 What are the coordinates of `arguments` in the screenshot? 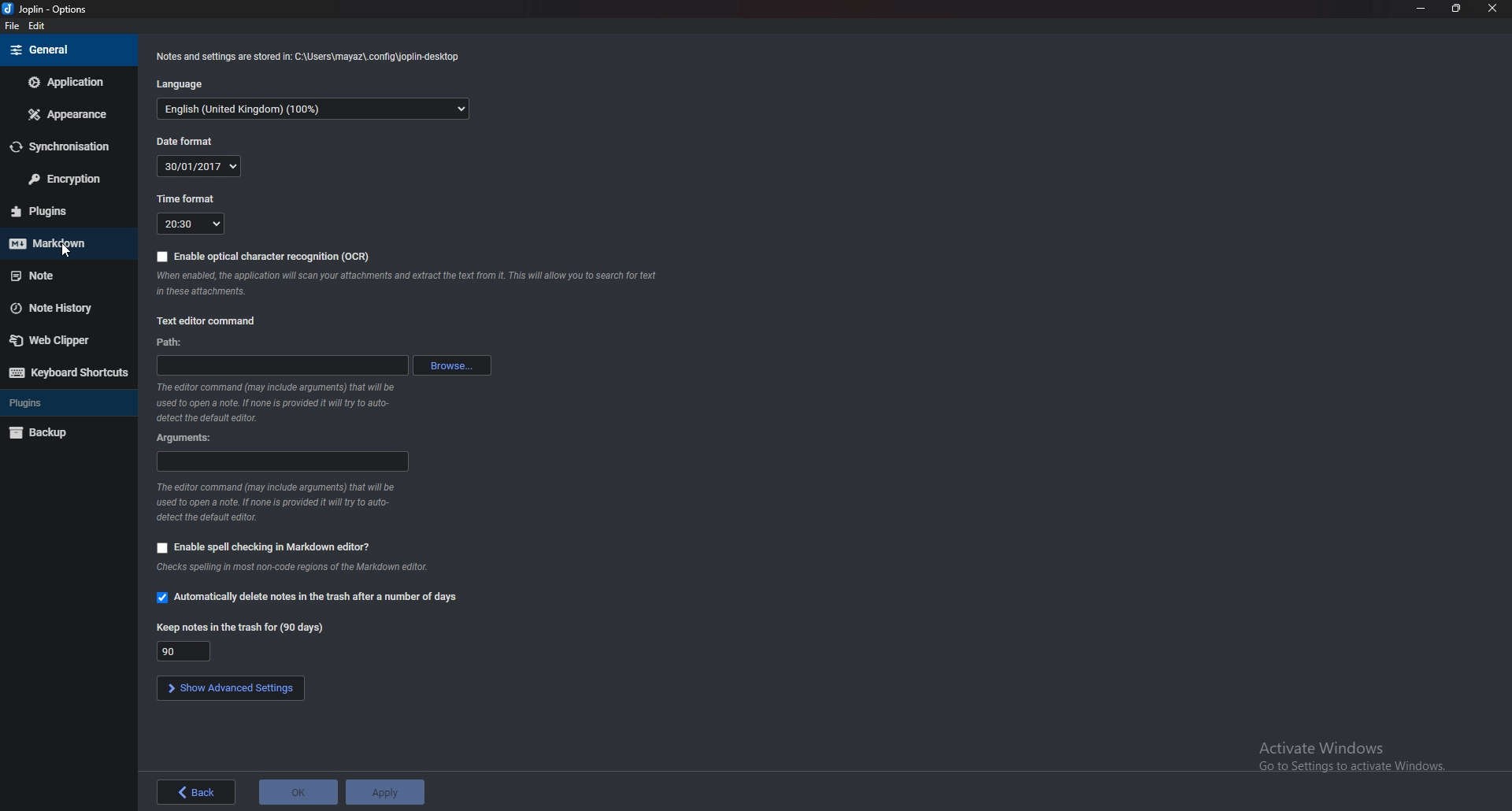 It's located at (191, 437).